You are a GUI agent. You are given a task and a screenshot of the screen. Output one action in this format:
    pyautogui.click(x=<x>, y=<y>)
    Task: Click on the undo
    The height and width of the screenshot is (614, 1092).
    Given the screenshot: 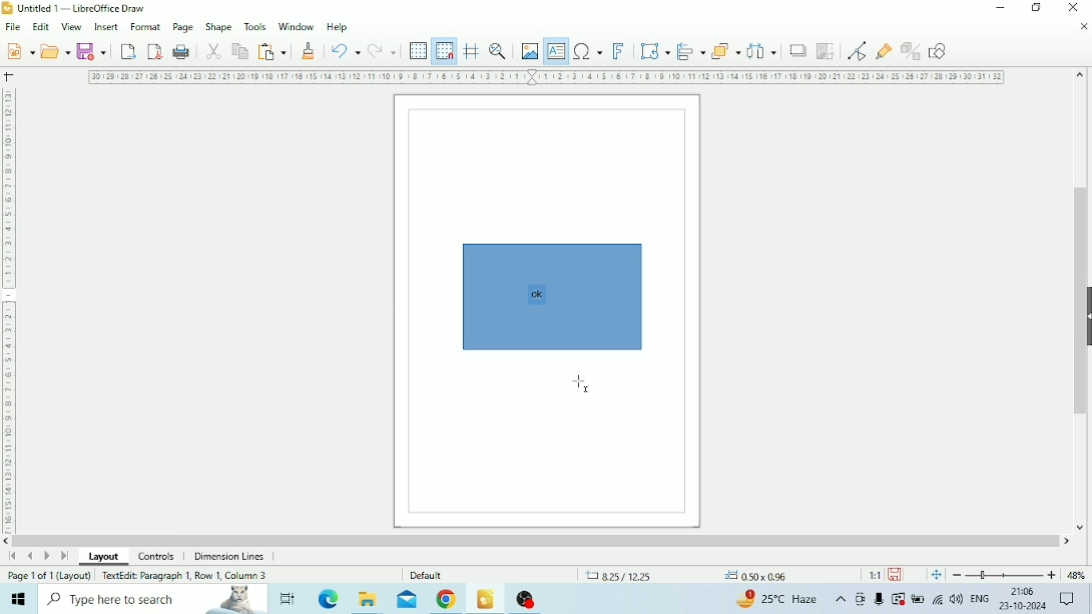 What is the action you would take?
    pyautogui.click(x=345, y=51)
    